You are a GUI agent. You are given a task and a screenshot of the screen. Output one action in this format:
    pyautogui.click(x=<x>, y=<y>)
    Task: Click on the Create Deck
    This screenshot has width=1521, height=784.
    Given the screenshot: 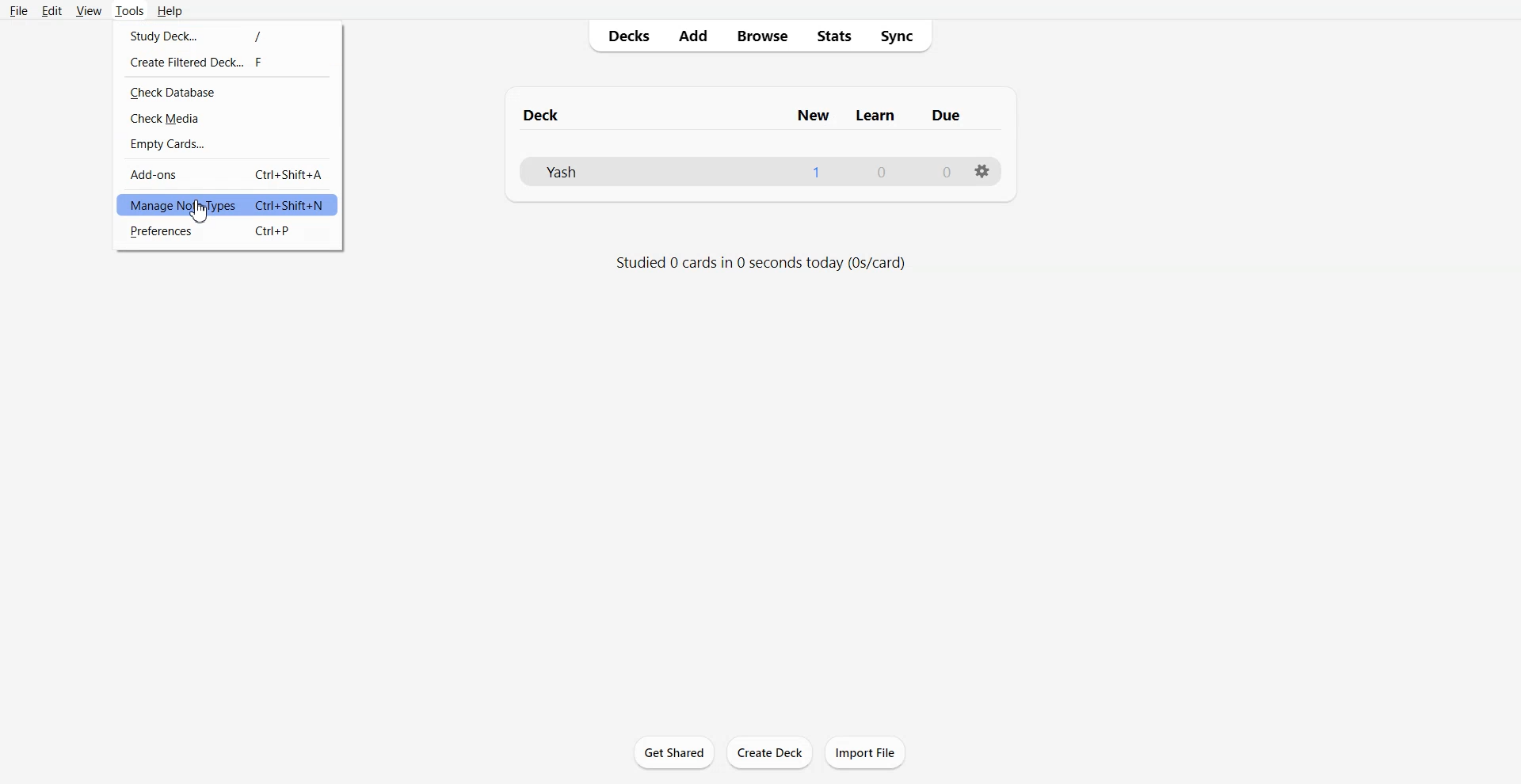 What is the action you would take?
    pyautogui.click(x=771, y=753)
    